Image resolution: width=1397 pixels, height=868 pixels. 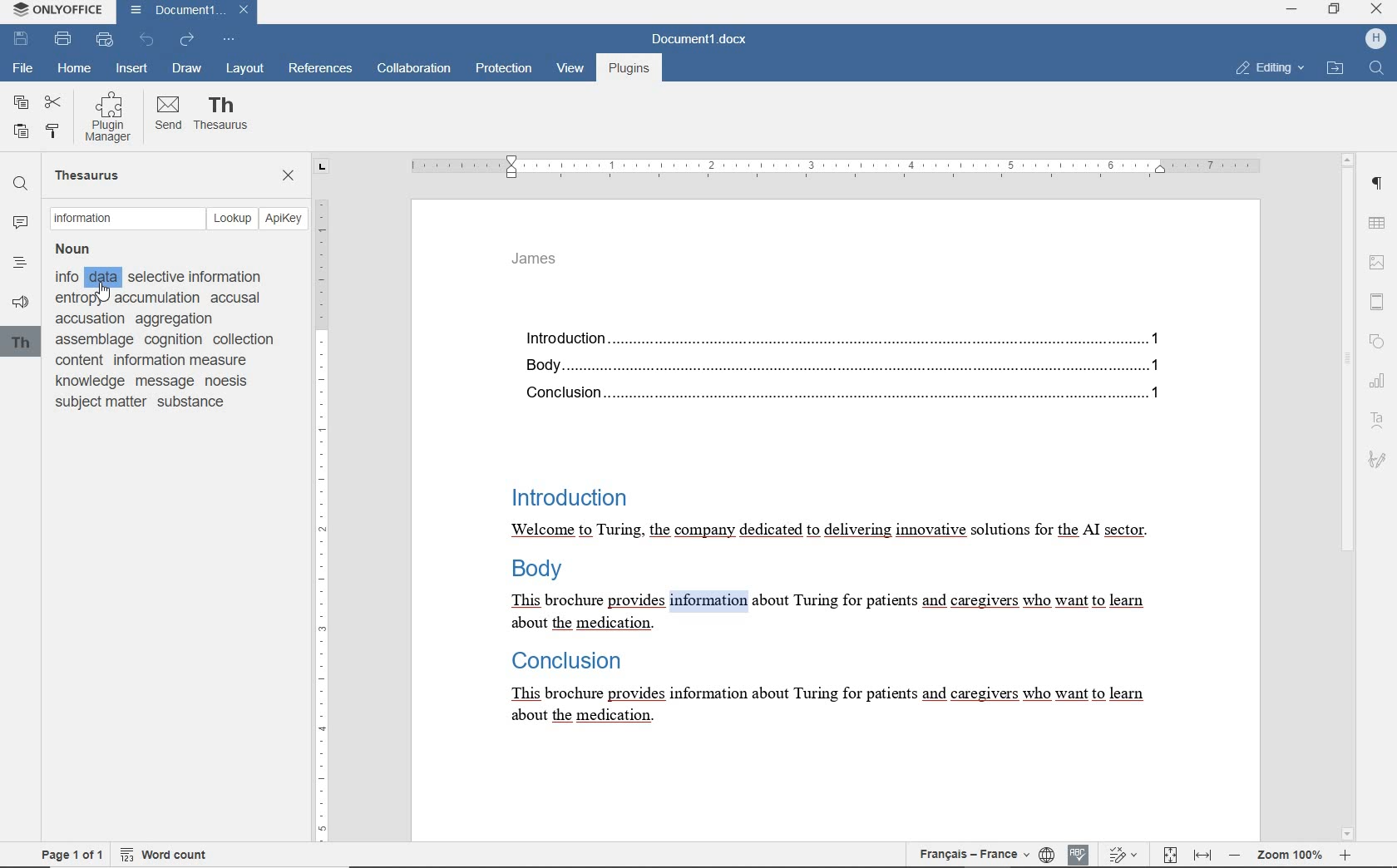 I want to click on UNDO, so click(x=146, y=39).